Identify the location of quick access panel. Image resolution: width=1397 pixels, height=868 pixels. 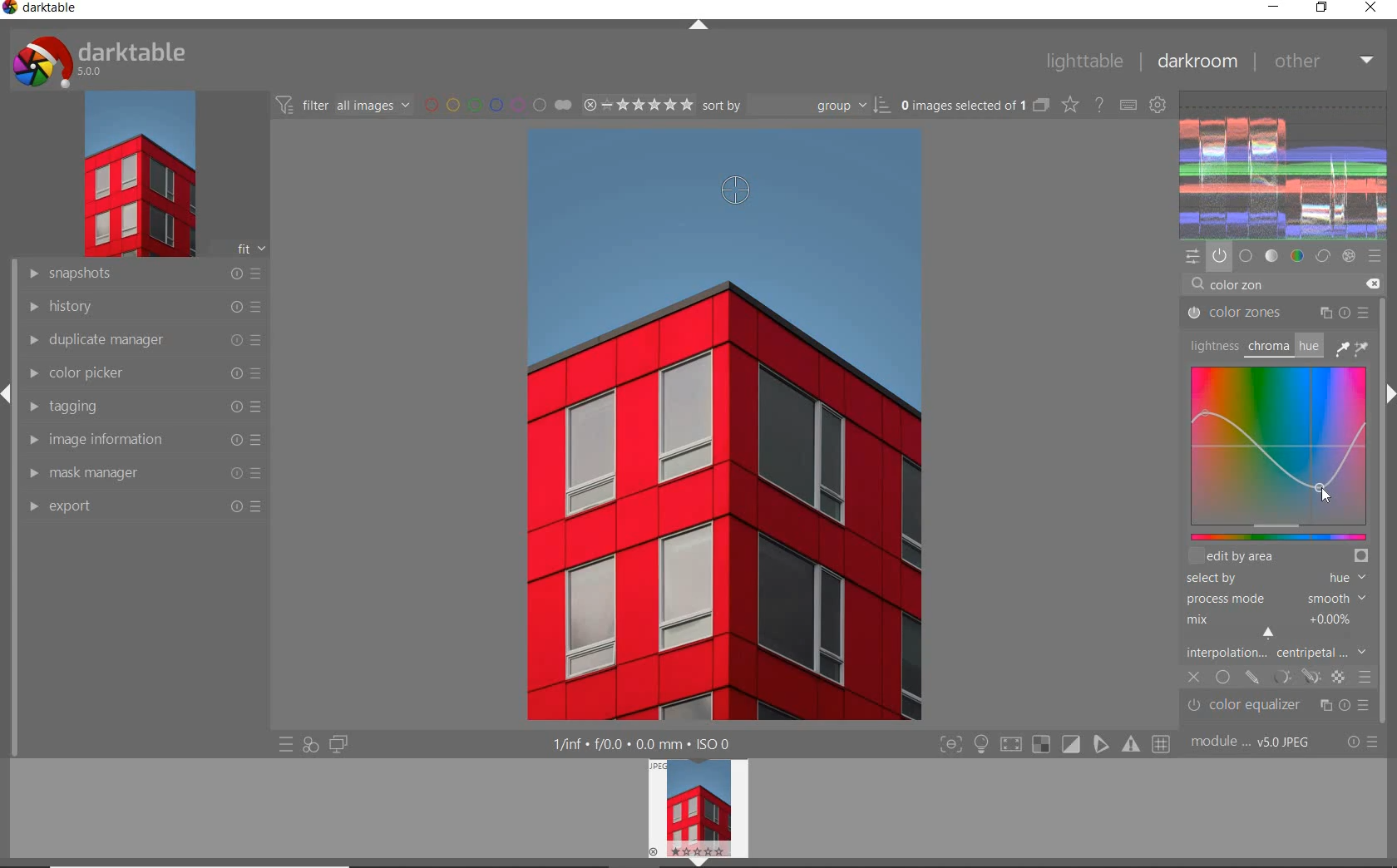
(1193, 257).